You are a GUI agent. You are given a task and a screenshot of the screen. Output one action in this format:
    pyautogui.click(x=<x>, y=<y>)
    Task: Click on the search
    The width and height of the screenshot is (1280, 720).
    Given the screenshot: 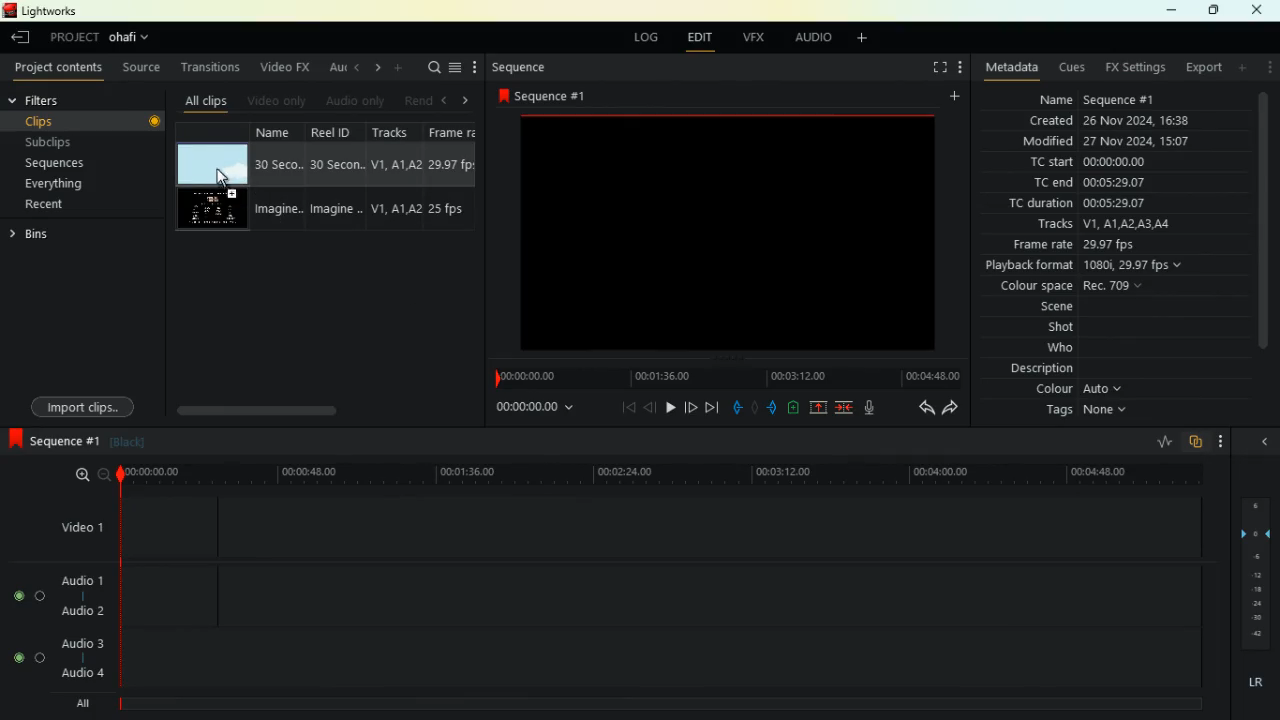 What is the action you would take?
    pyautogui.click(x=433, y=69)
    